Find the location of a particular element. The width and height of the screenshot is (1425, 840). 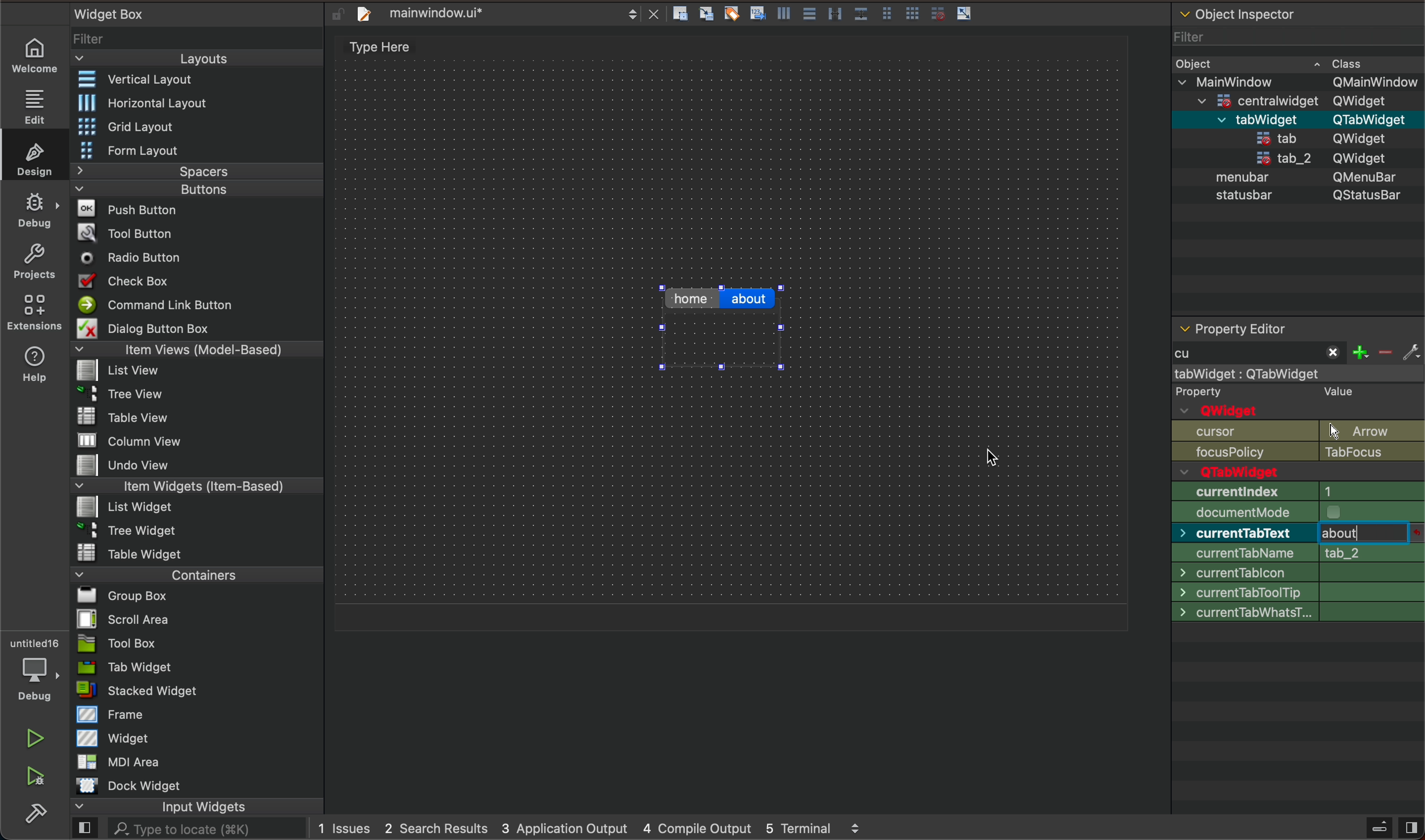

design is located at coordinates (34, 156).